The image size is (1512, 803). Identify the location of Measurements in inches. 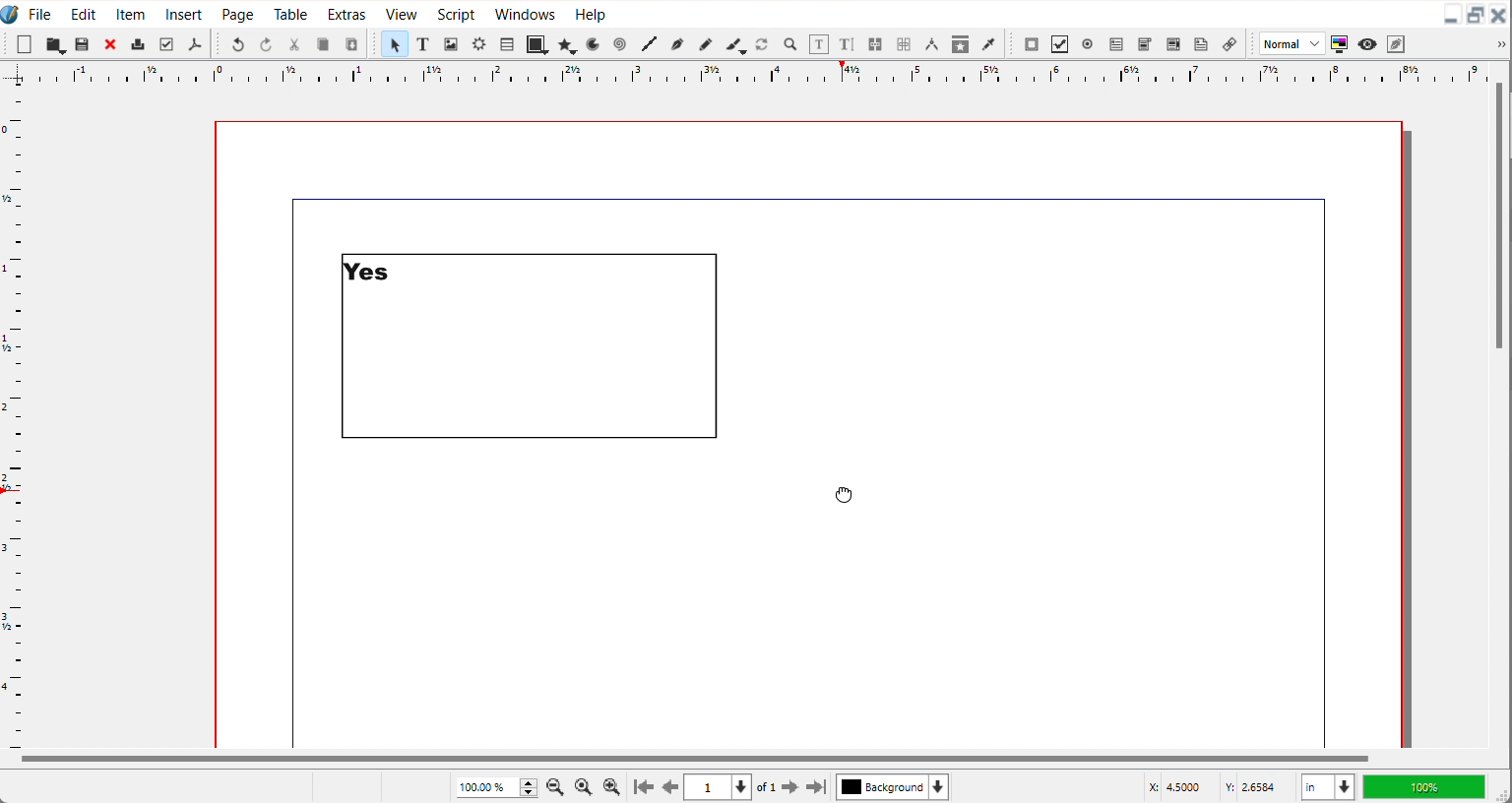
(1328, 787).